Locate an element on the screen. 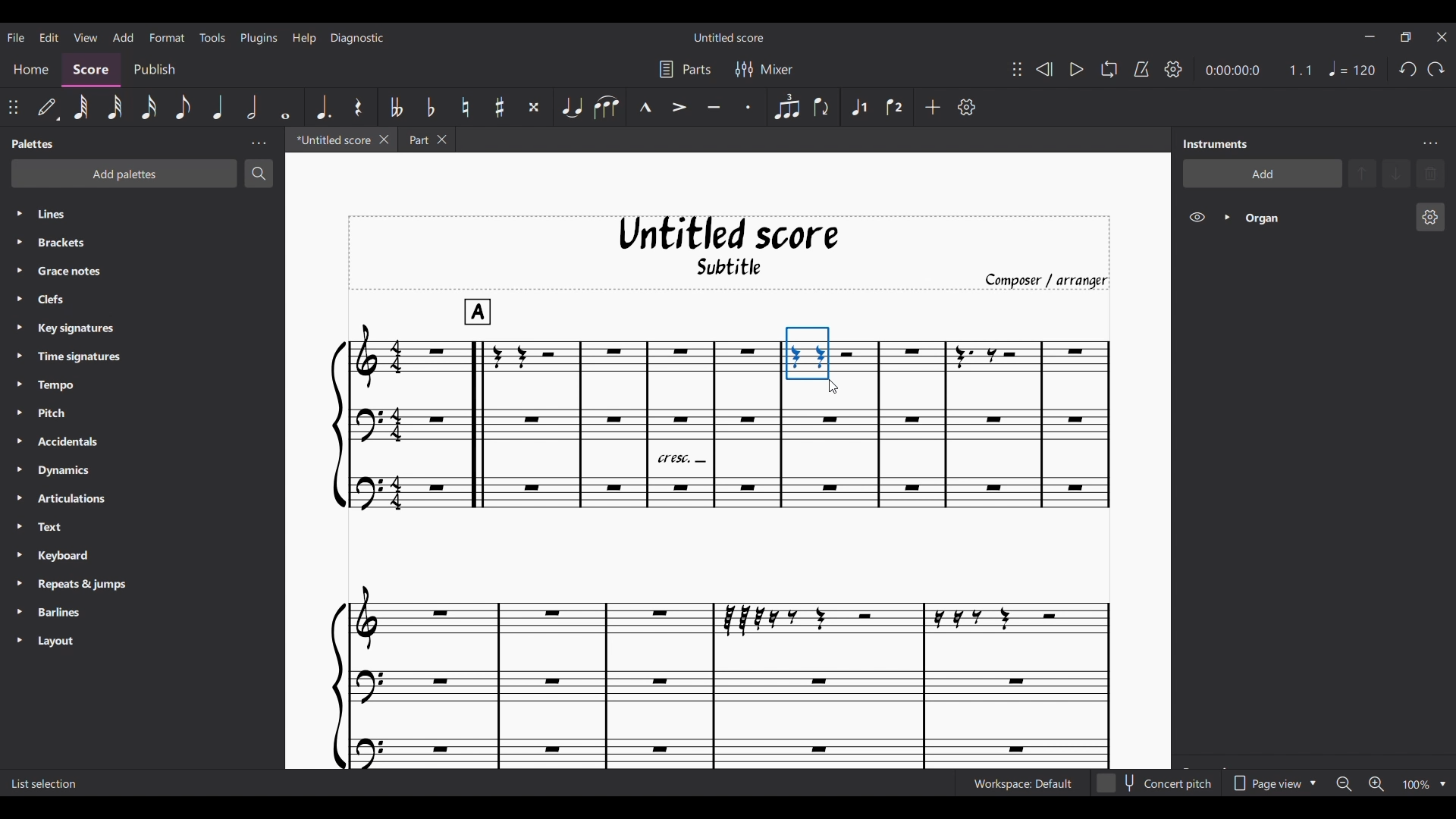 The width and height of the screenshot is (1456, 819). Toggle double flat is located at coordinates (397, 107).